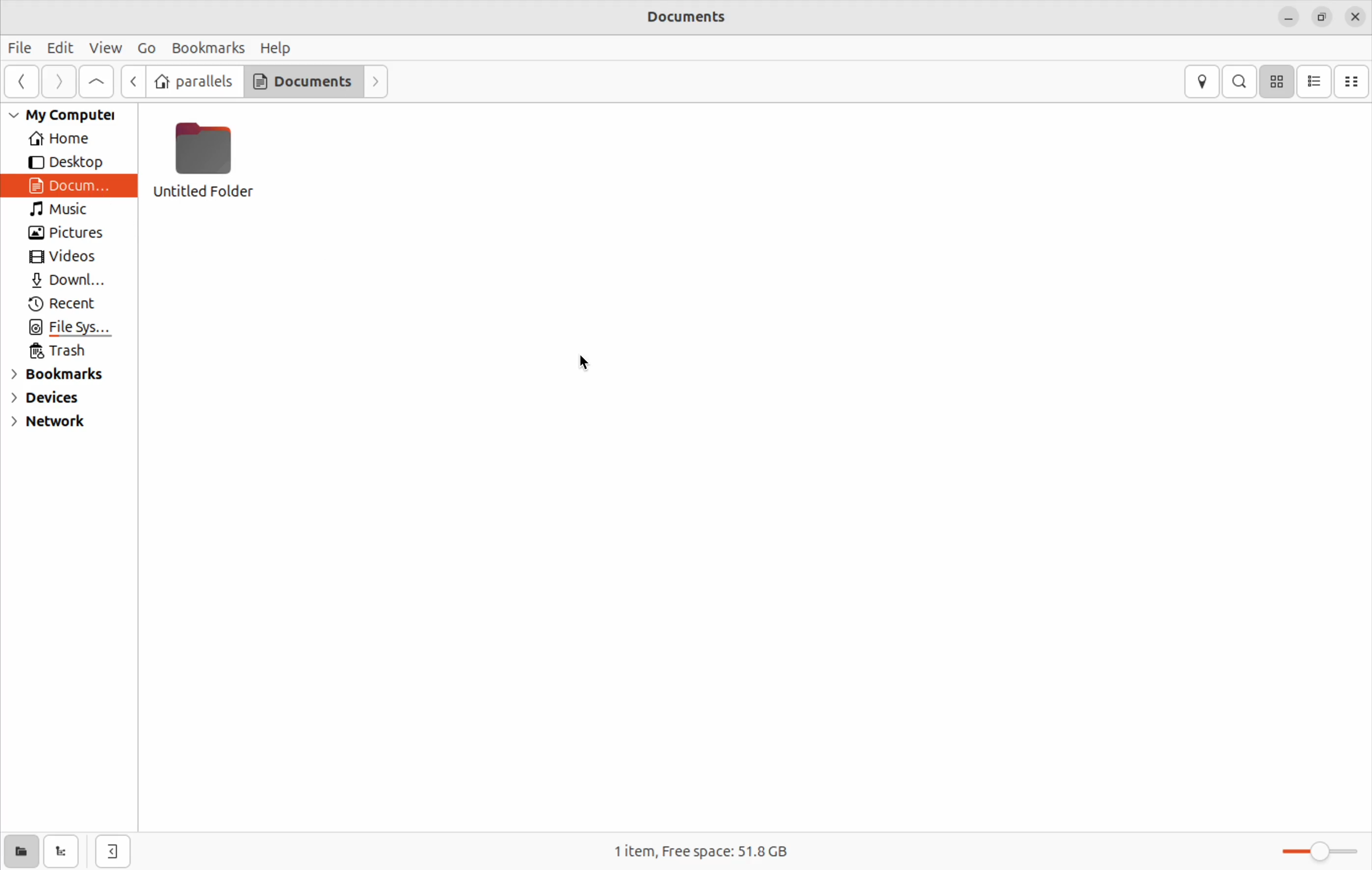 The height and width of the screenshot is (870, 1372). What do you see at coordinates (581, 362) in the screenshot?
I see `cursor` at bounding box center [581, 362].